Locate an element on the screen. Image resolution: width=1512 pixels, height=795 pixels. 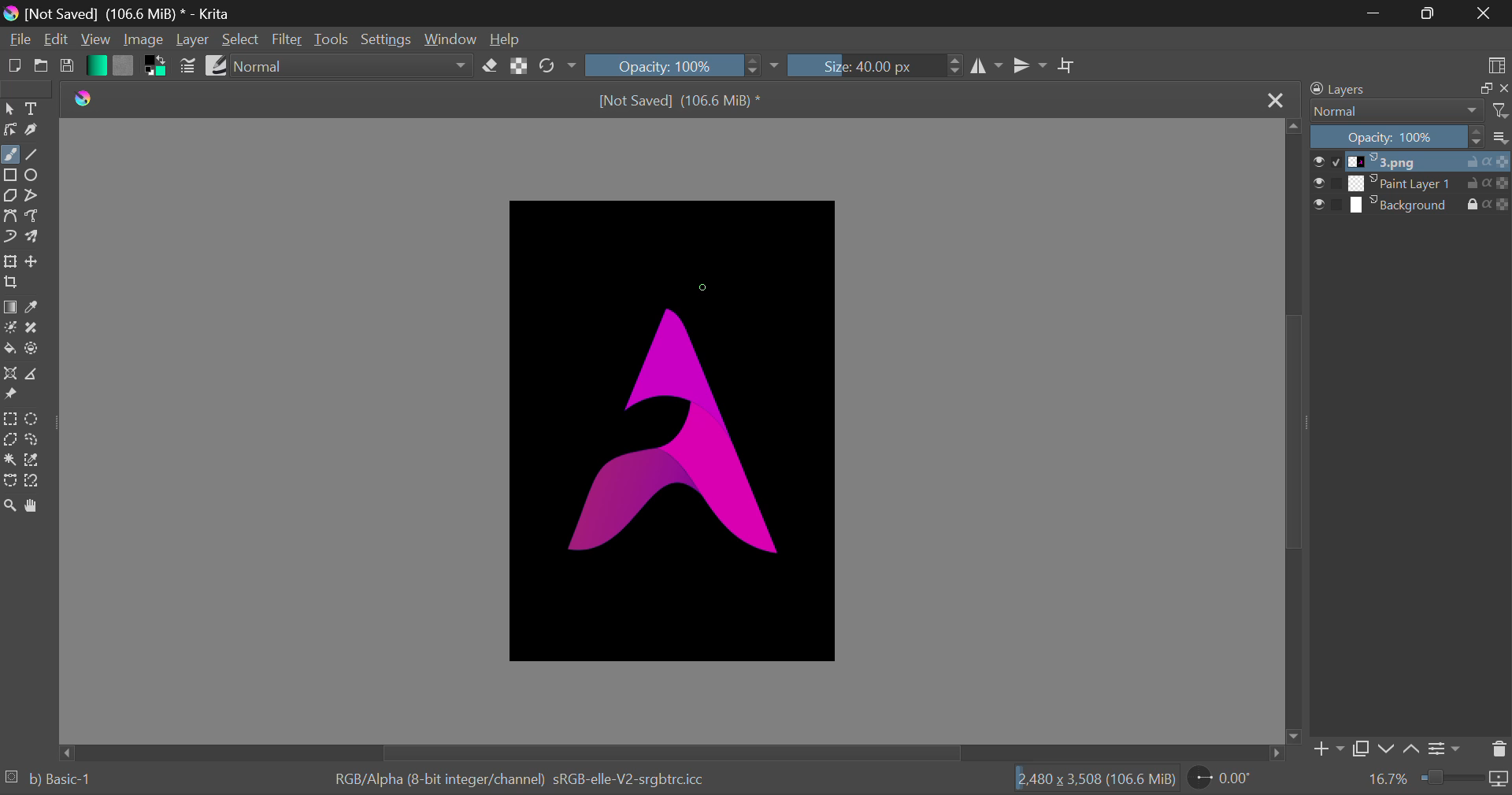
filter is located at coordinates (1499, 109).